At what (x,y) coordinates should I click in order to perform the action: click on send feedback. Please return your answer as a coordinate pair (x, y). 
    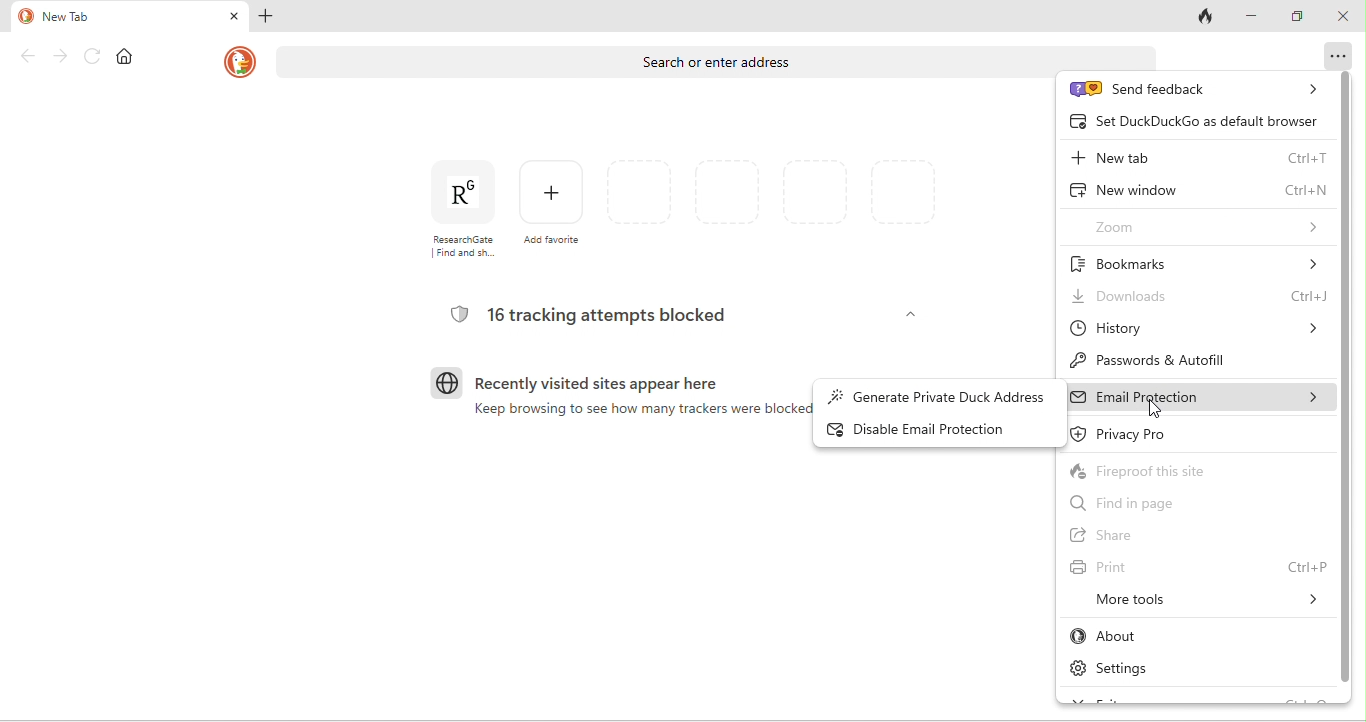
    Looking at the image, I should click on (1198, 90).